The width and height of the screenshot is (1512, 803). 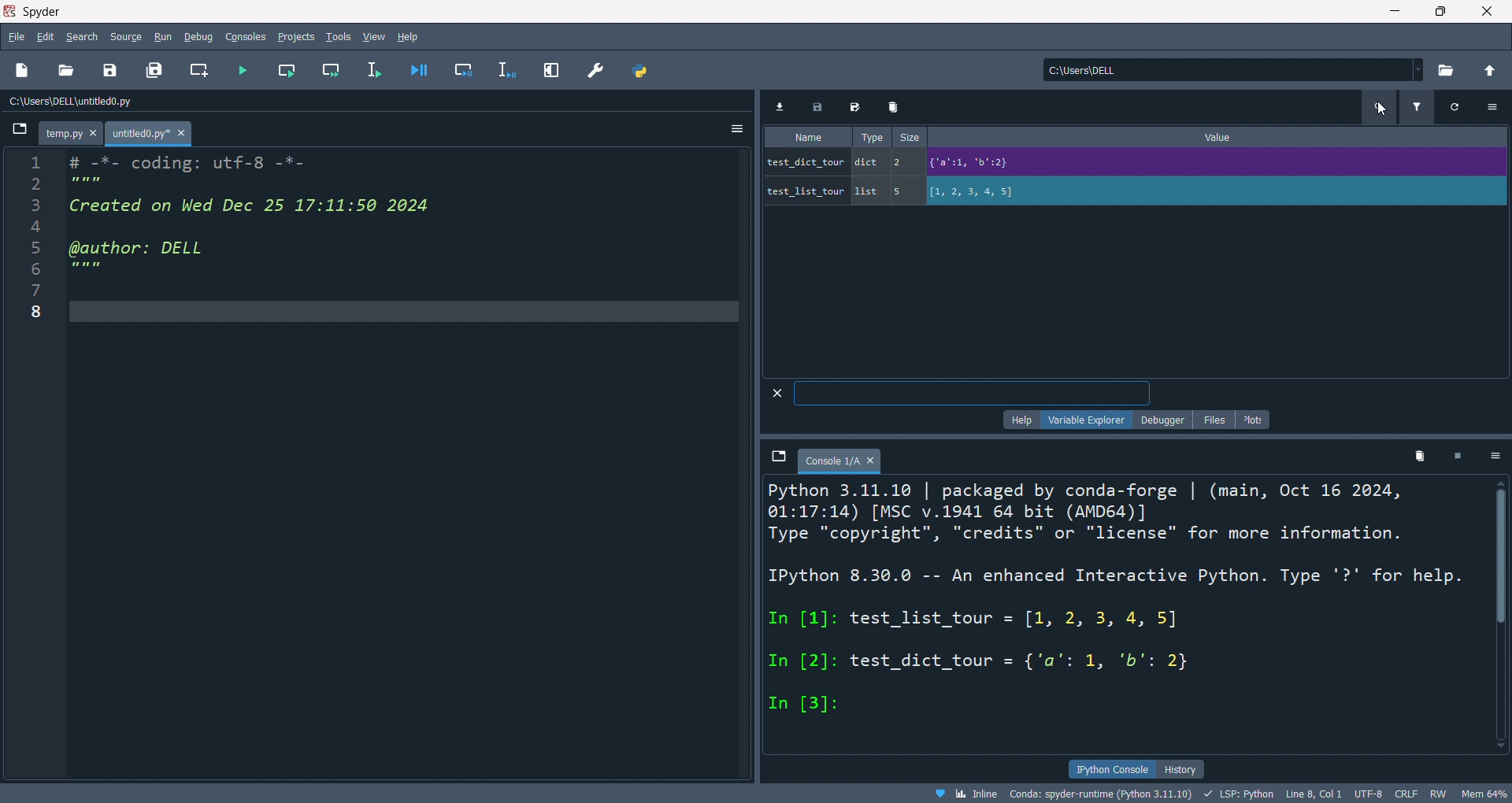 I want to click on preferenc, so click(x=597, y=70).